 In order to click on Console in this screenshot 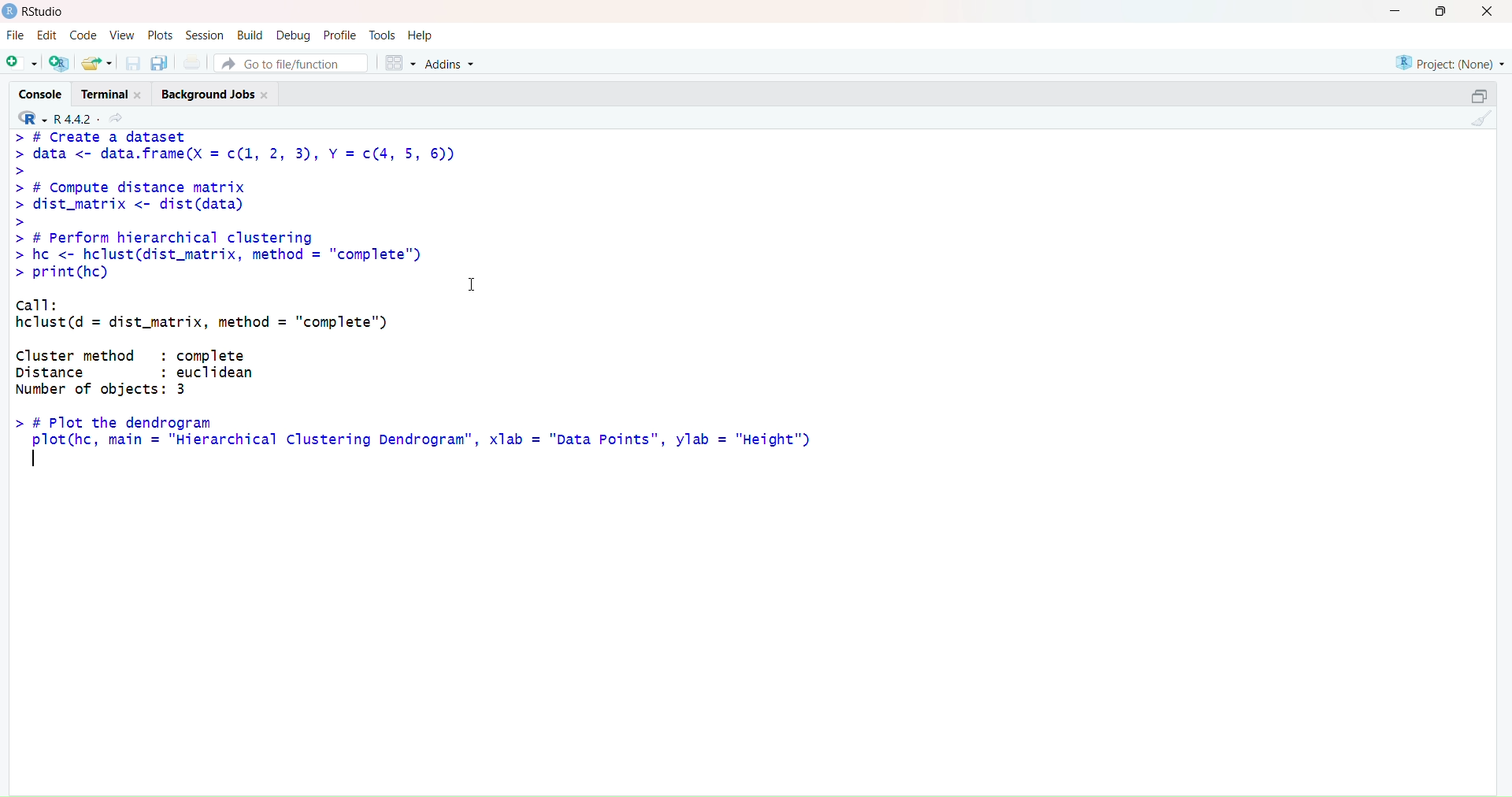, I will do `click(35, 95)`.